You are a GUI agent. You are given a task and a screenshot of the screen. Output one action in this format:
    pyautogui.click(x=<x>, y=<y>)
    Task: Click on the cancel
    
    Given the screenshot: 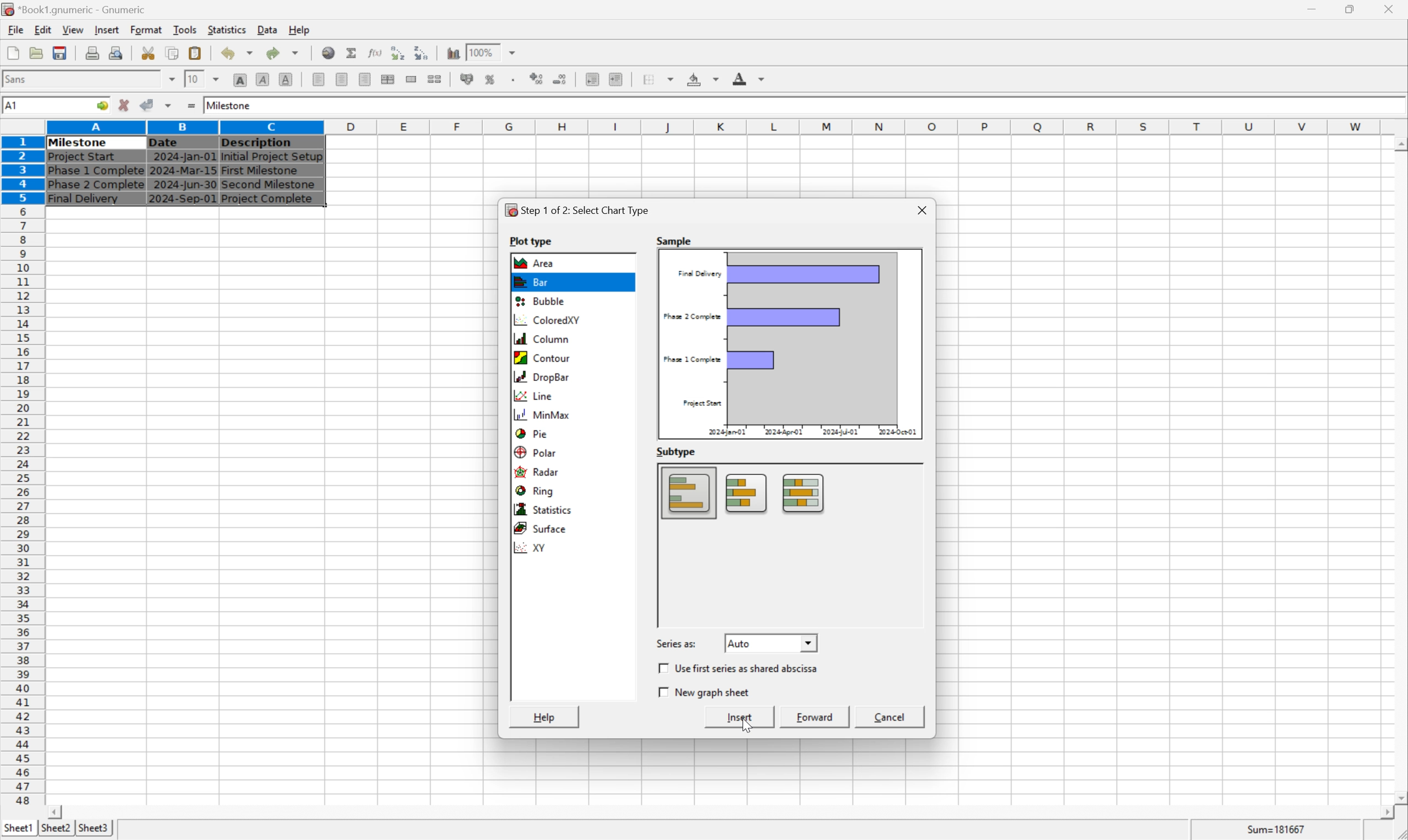 What is the action you would take?
    pyautogui.click(x=891, y=718)
    